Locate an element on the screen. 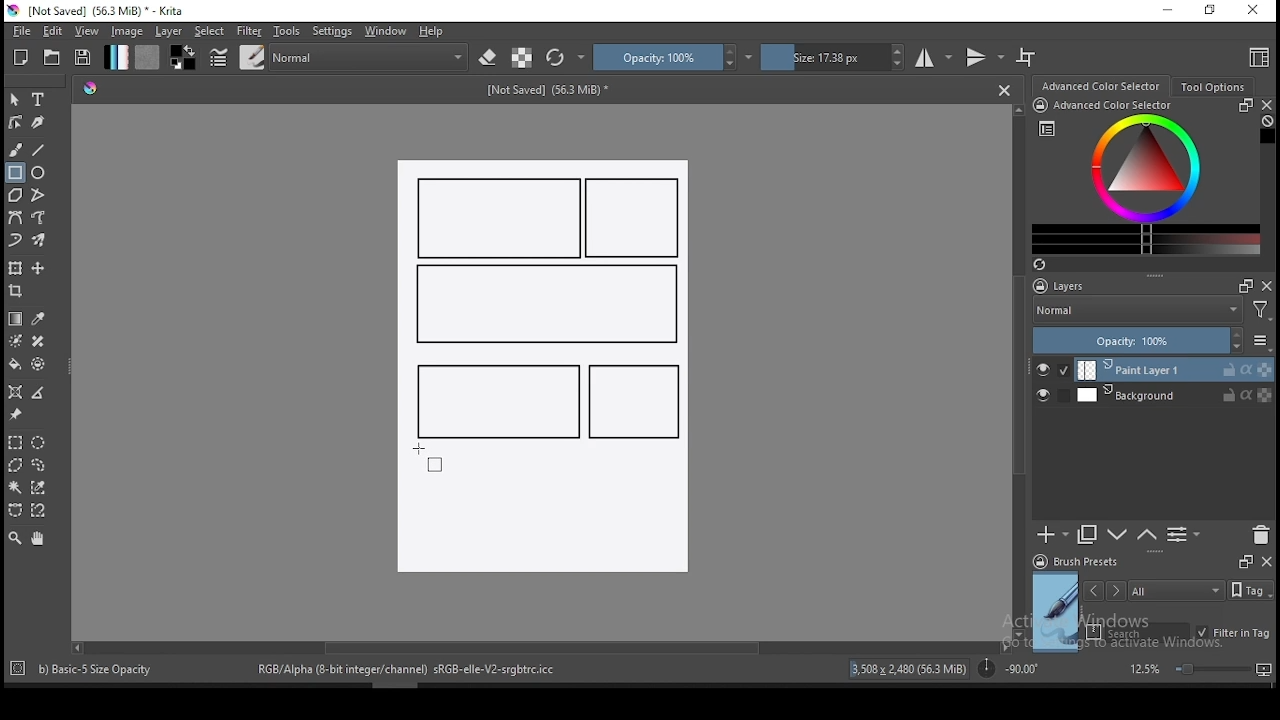 The width and height of the screenshot is (1280, 720). delete layer is located at coordinates (1260, 536).